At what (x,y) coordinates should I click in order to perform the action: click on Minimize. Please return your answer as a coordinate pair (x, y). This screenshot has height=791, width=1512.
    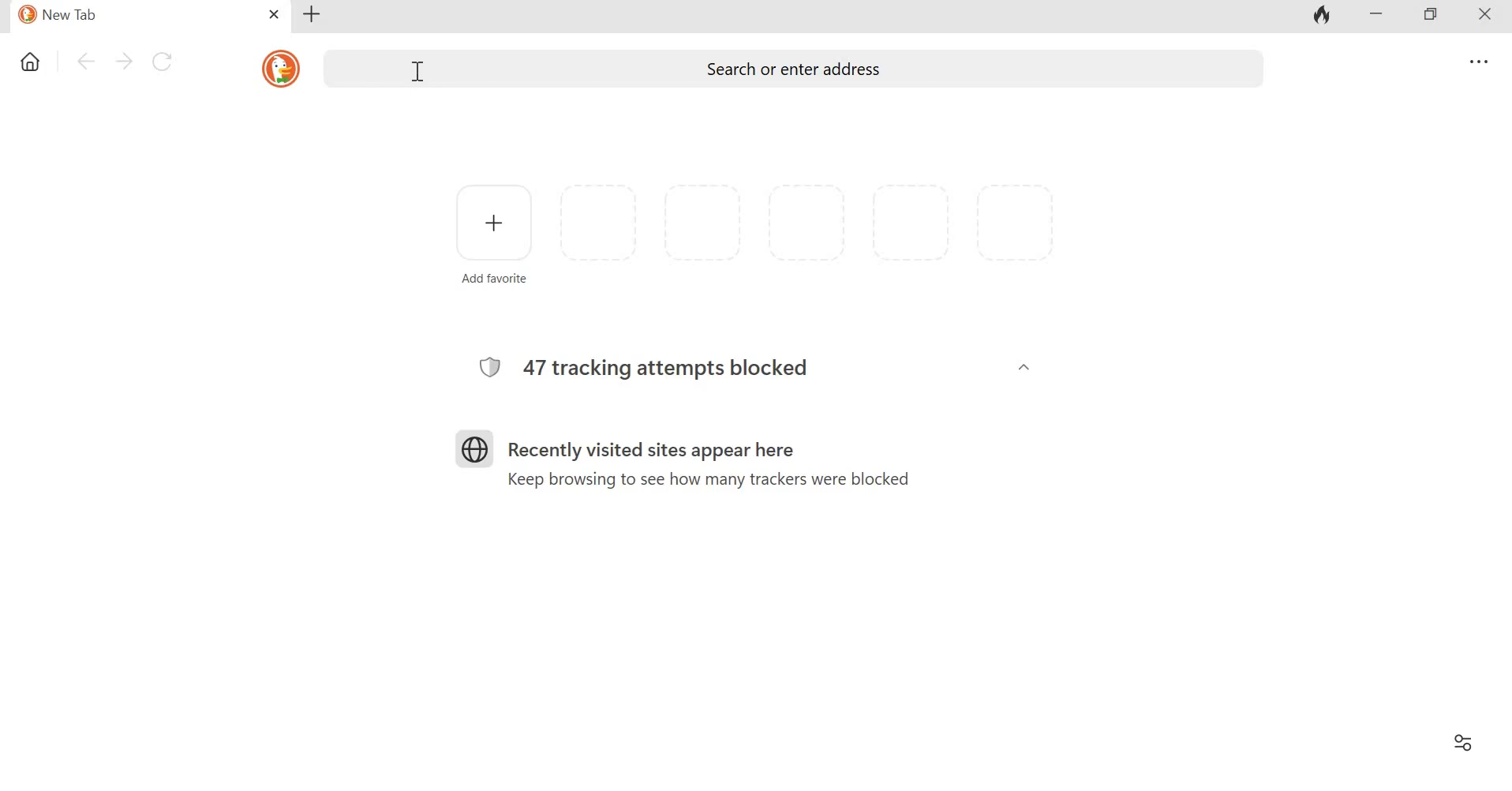
    Looking at the image, I should click on (1377, 16).